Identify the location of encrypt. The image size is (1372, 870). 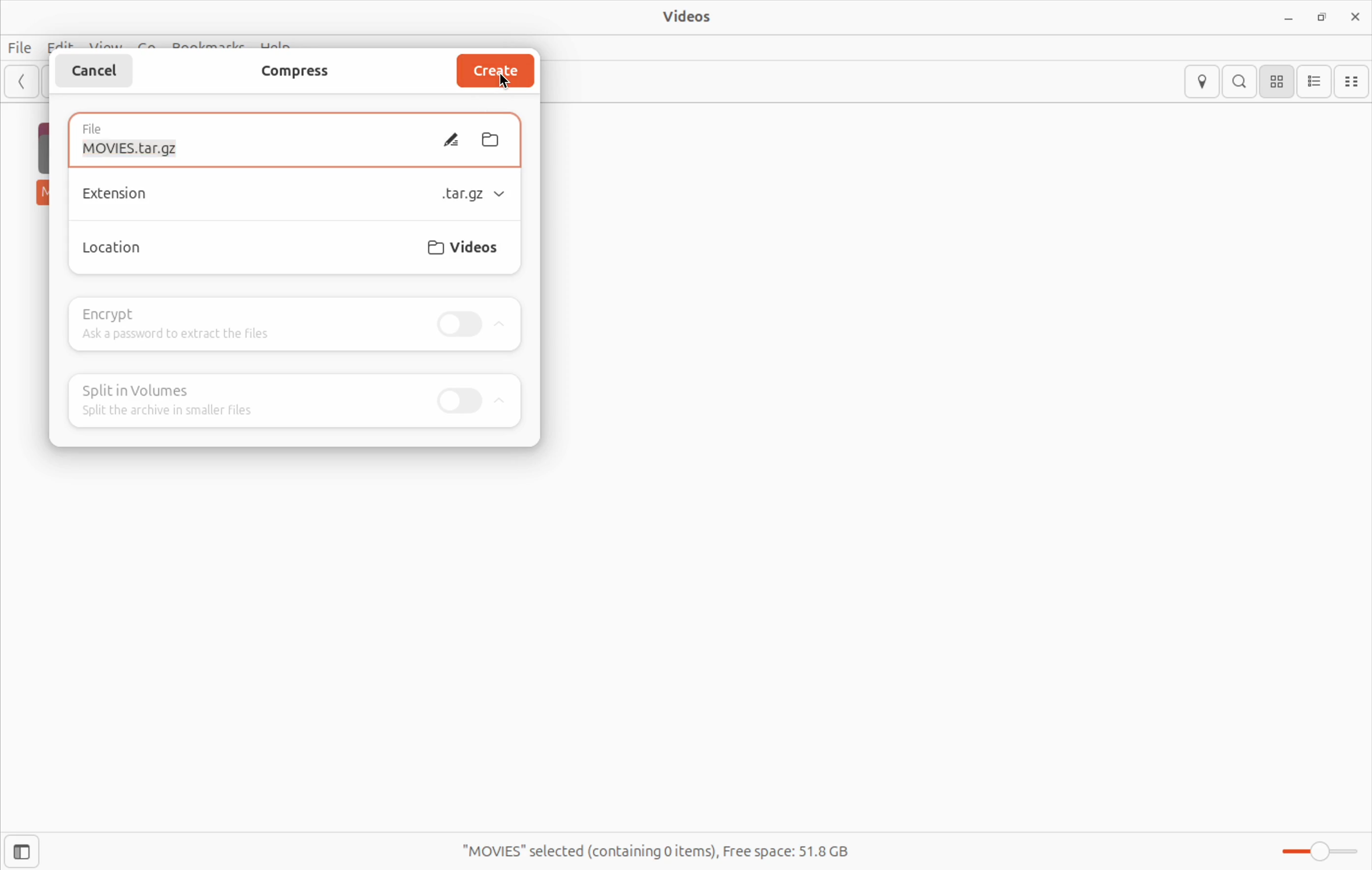
(111, 312).